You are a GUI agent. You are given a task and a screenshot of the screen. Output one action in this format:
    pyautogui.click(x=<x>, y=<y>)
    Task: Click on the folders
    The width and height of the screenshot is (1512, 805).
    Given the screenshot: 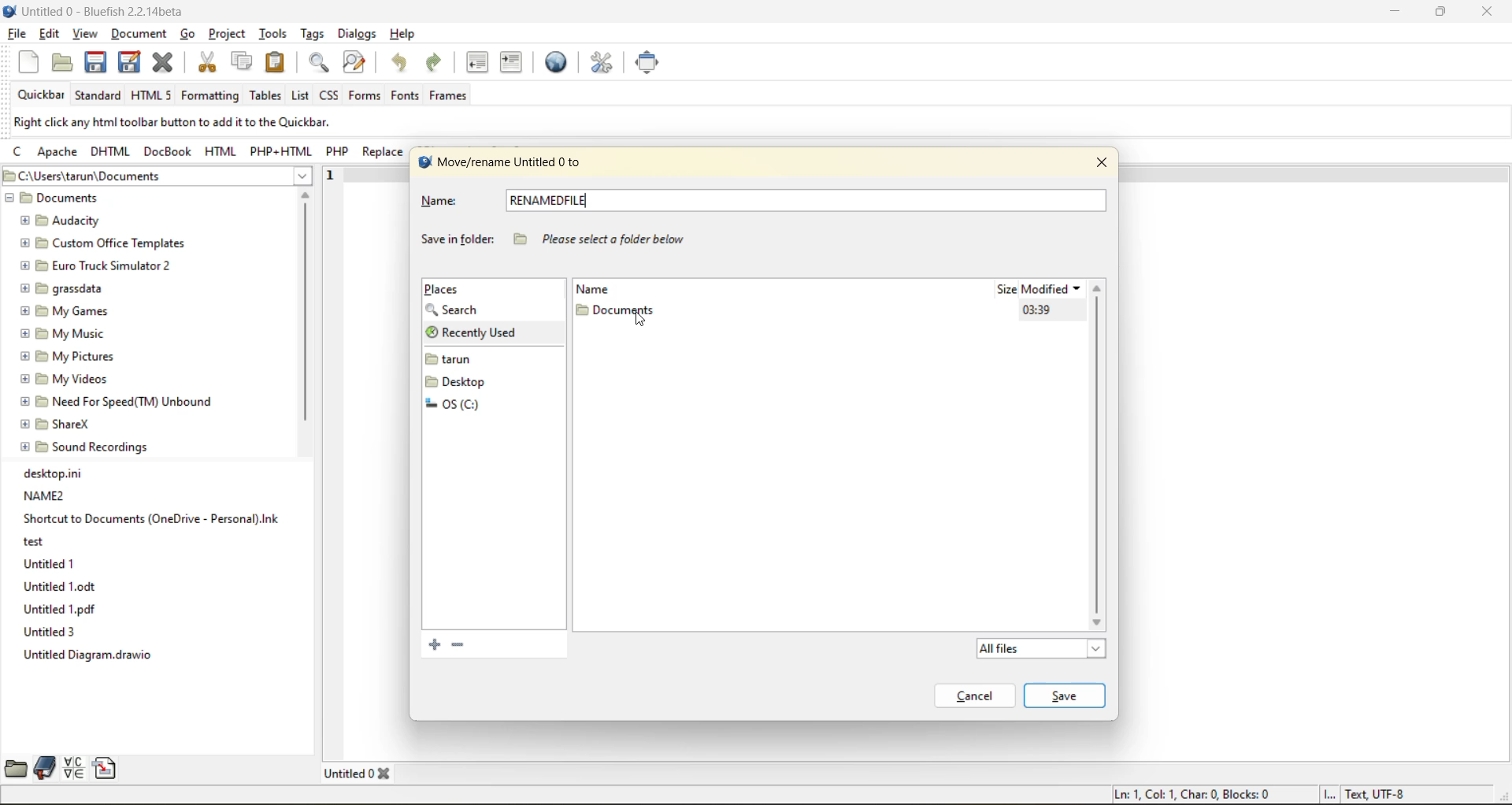 What is the action you would take?
    pyautogui.click(x=465, y=380)
    